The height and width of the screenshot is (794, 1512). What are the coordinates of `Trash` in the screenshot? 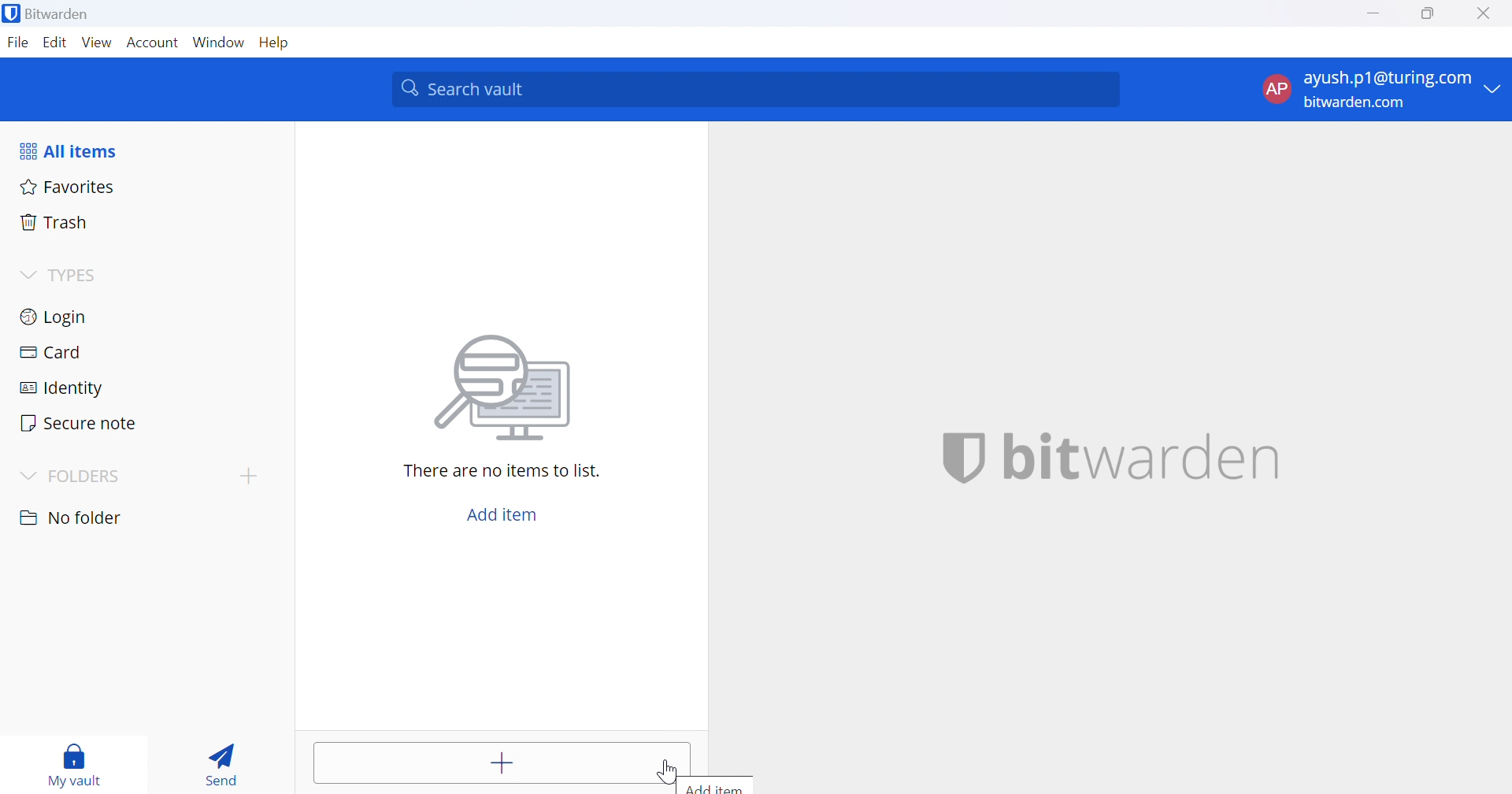 It's located at (54, 221).